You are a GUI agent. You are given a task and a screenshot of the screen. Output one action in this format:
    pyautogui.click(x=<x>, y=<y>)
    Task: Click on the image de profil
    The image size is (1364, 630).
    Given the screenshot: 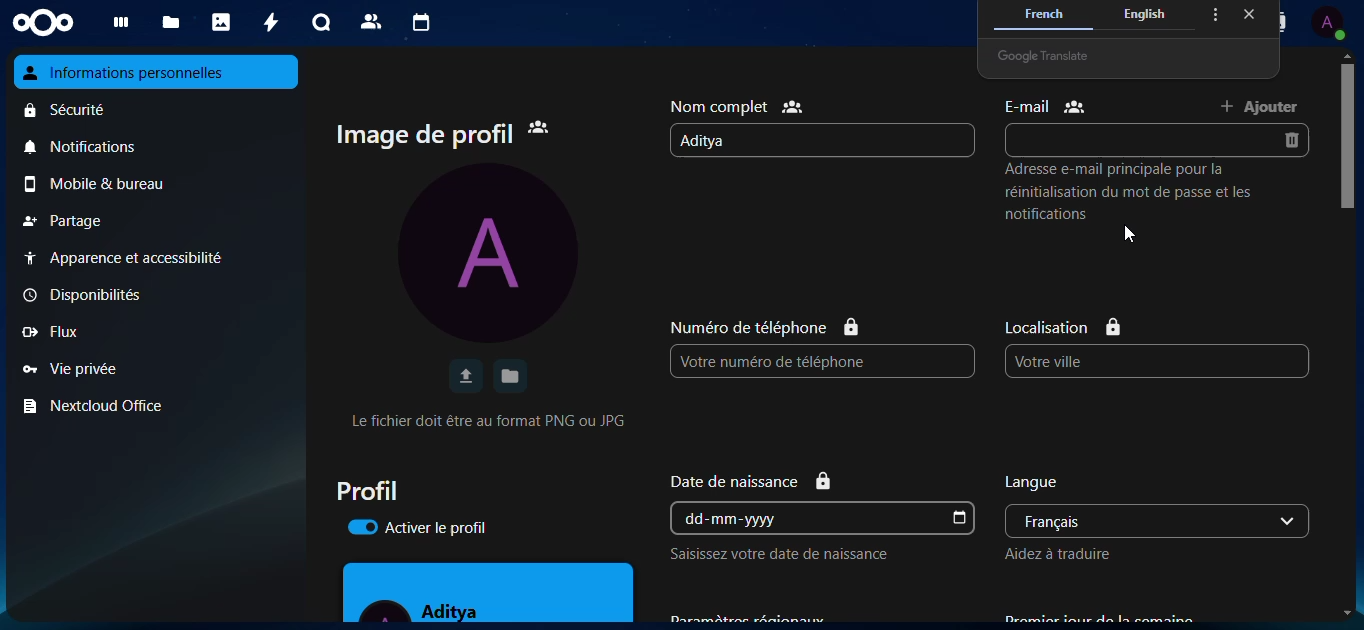 What is the action you would take?
    pyautogui.click(x=444, y=132)
    